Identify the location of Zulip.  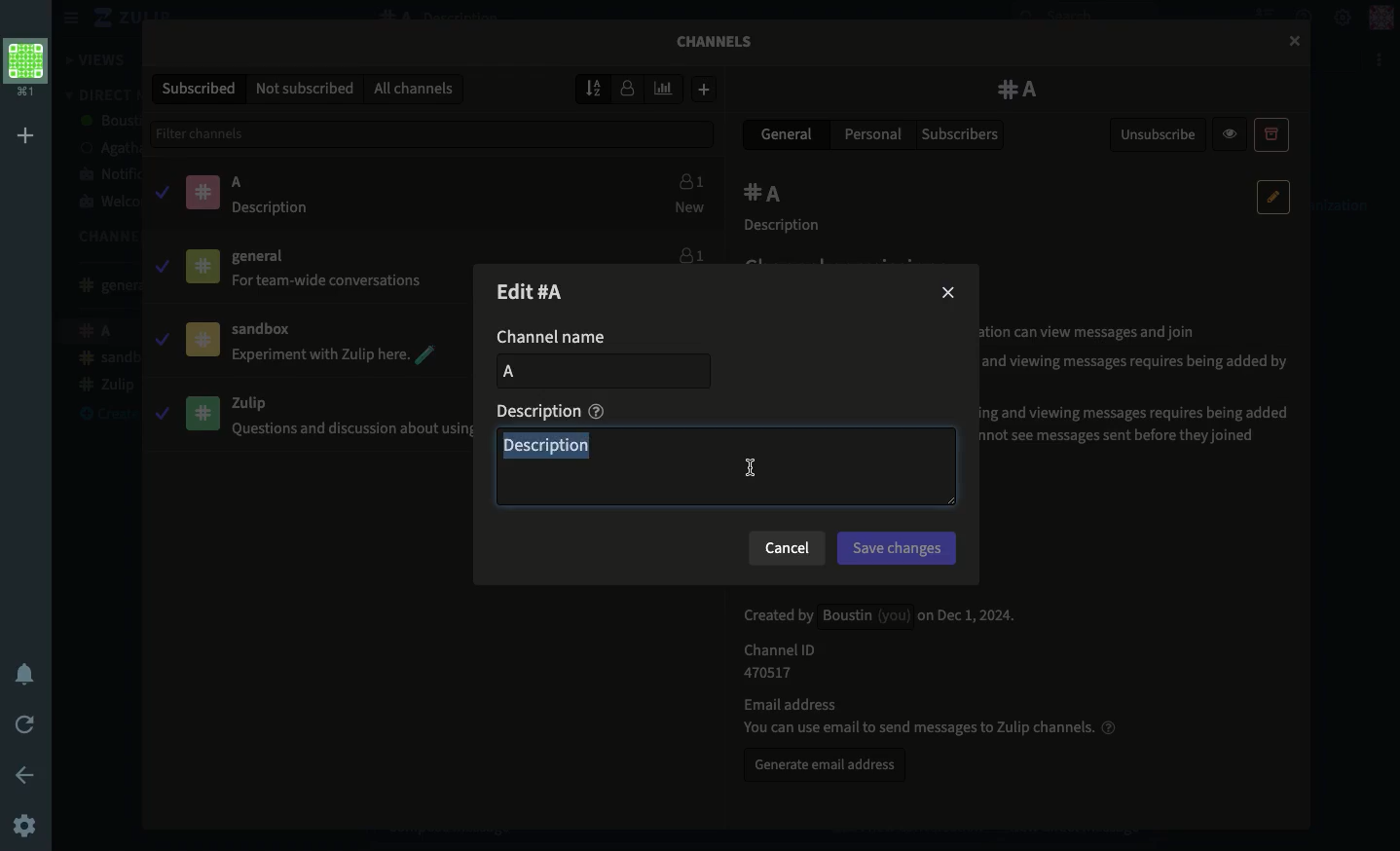
(306, 414).